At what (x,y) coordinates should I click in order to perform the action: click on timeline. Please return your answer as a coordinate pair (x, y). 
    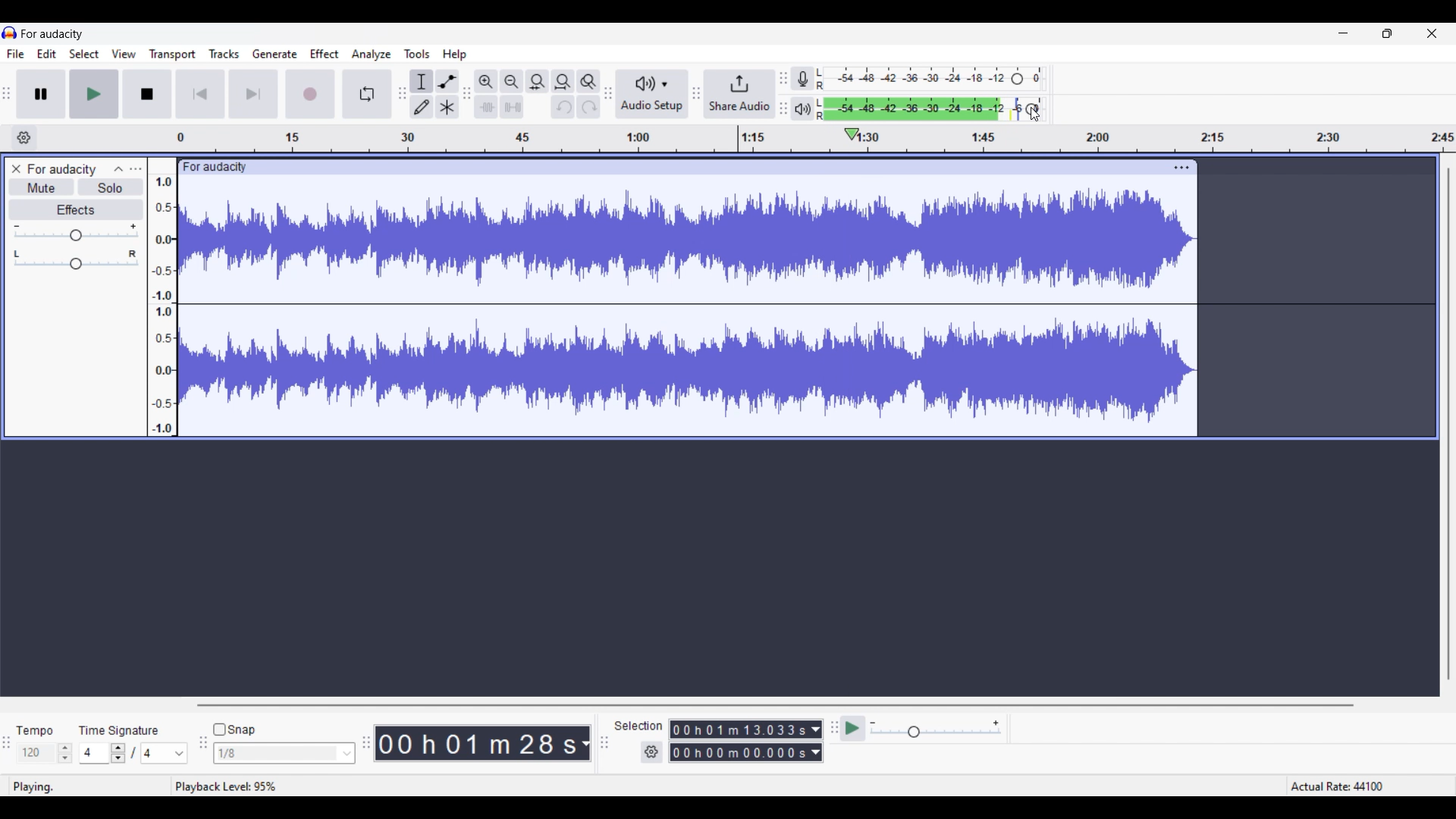
    Looking at the image, I should click on (1156, 139).